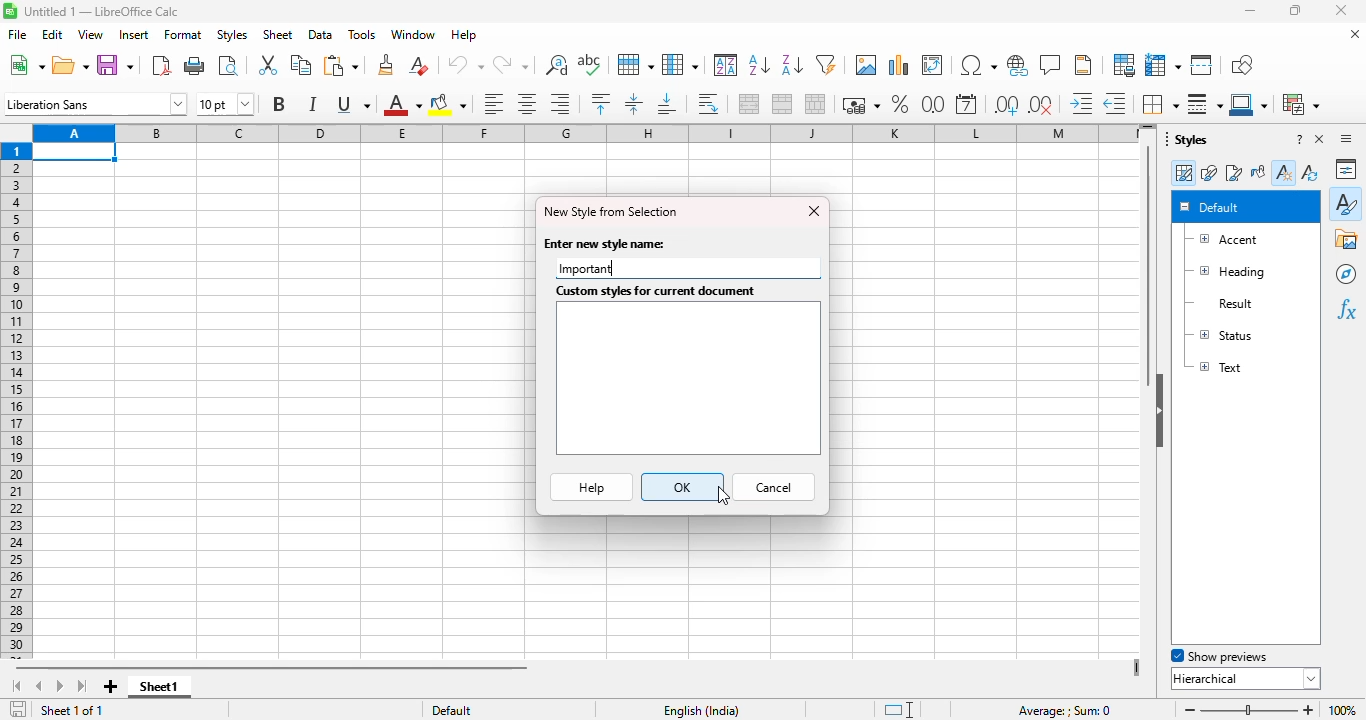 The width and height of the screenshot is (1366, 720). Describe the element at coordinates (1187, 138) in the screenshot. I see `styles` at that location.